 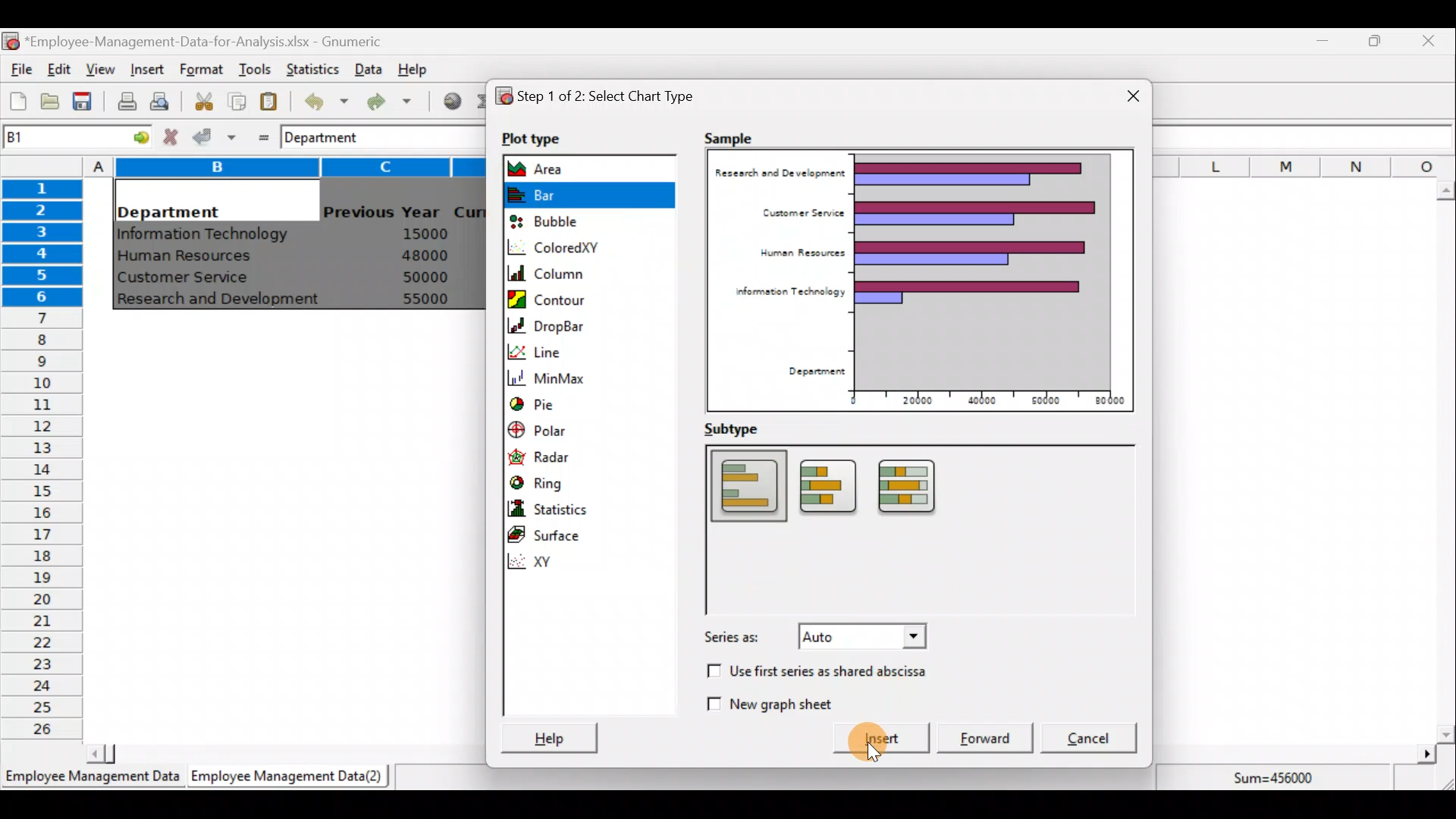 What do you see at coordinates (743, 429) in the screenshot?
I see `Subtype` at bounding box center [743, 429].